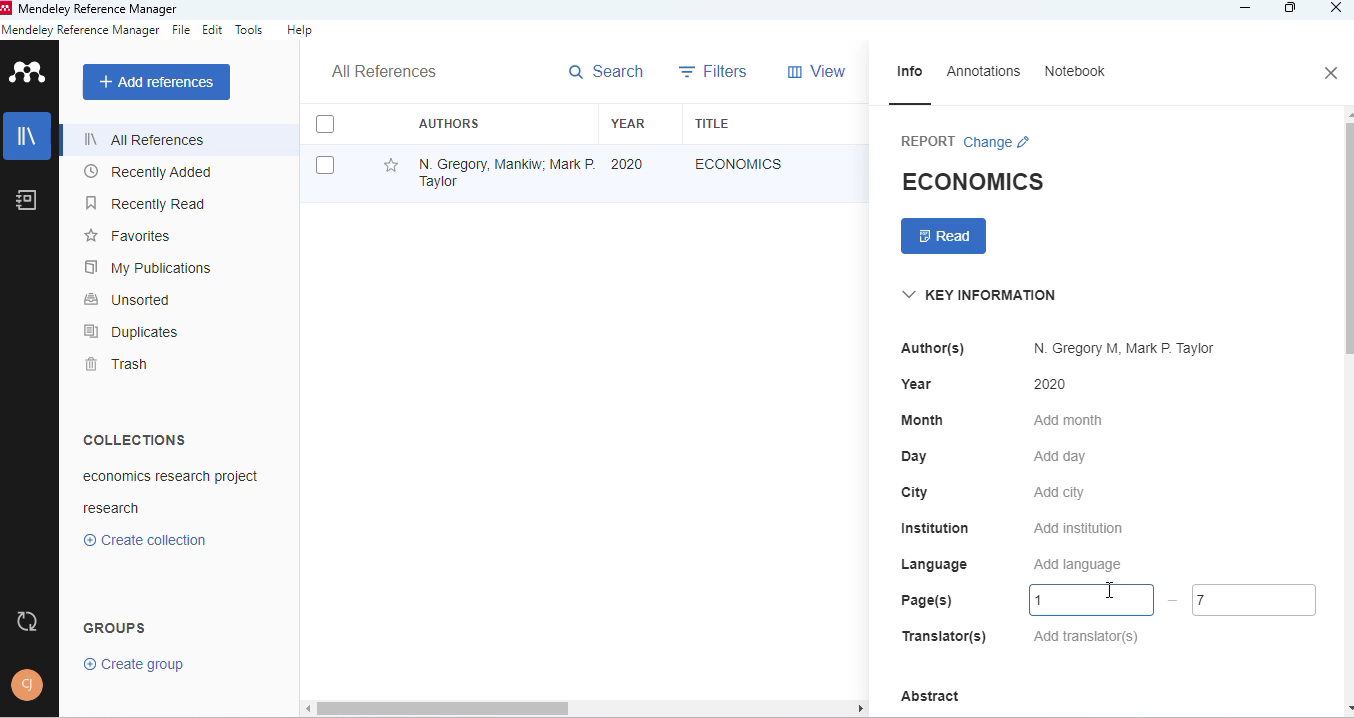  I want to click on mendeley reference manager, so click(101, 9).